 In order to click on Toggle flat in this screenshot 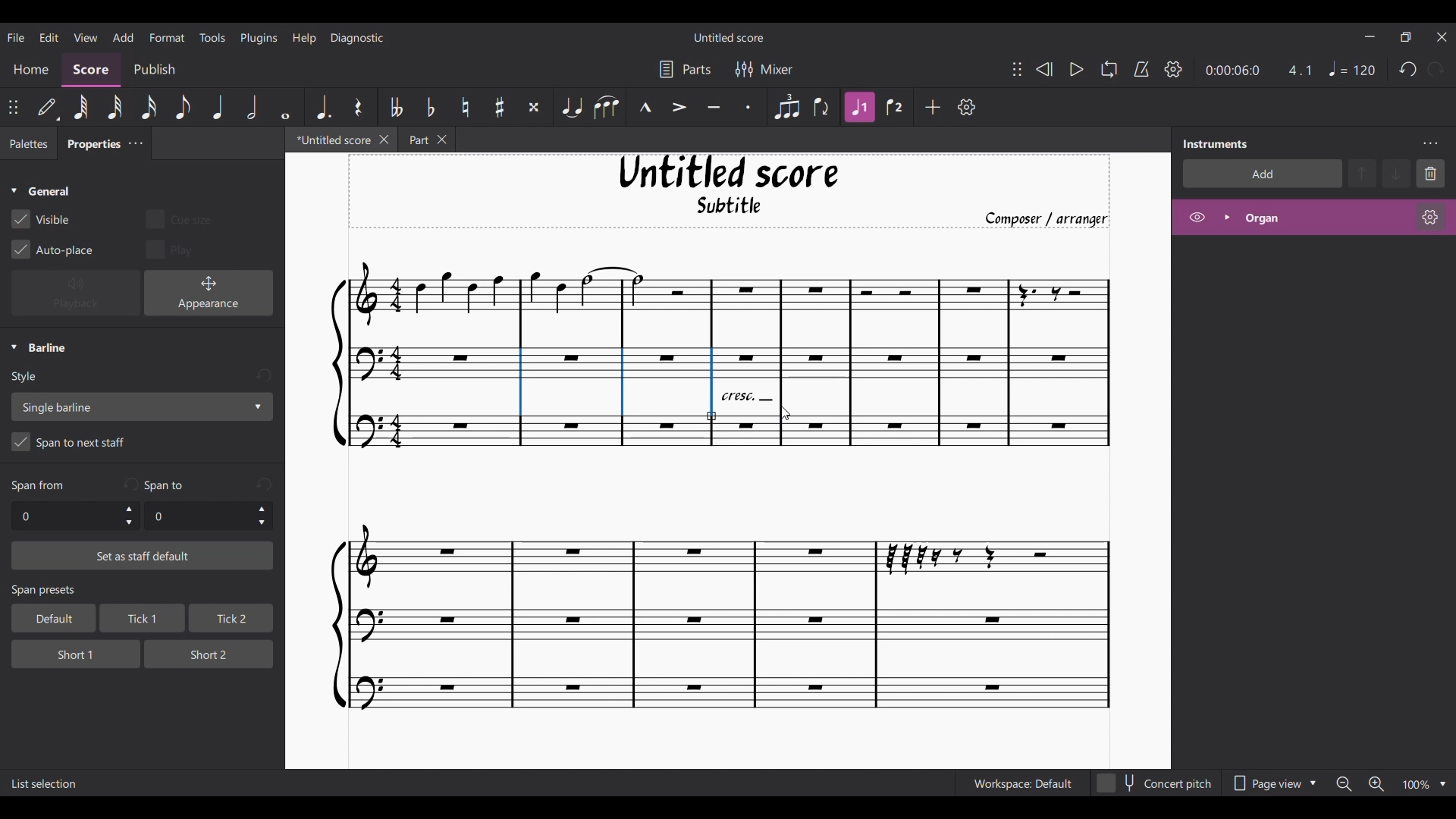, I will do `click(430, 107)`.